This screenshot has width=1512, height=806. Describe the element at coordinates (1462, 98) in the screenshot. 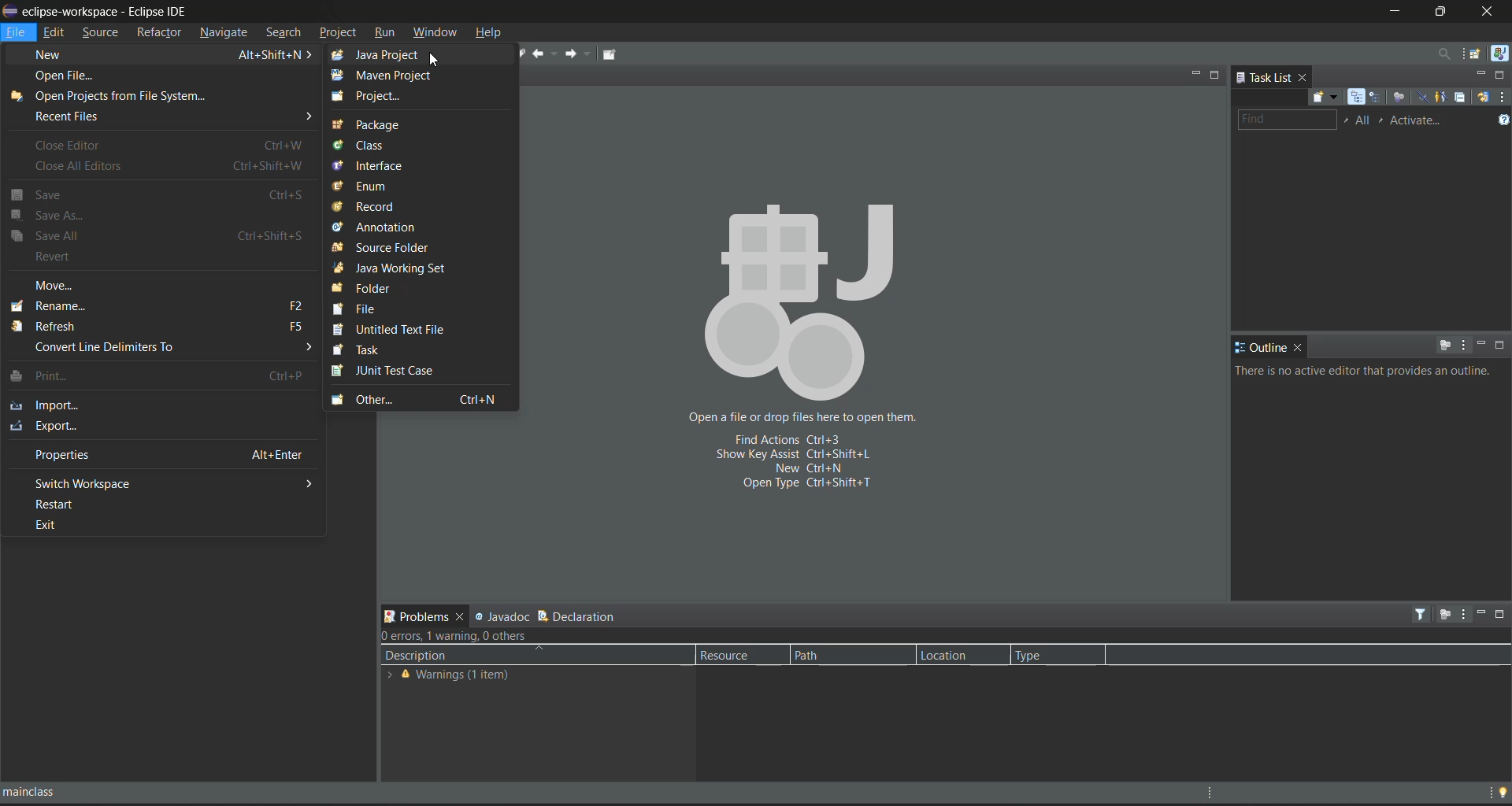

I see `collapse all` at that location.